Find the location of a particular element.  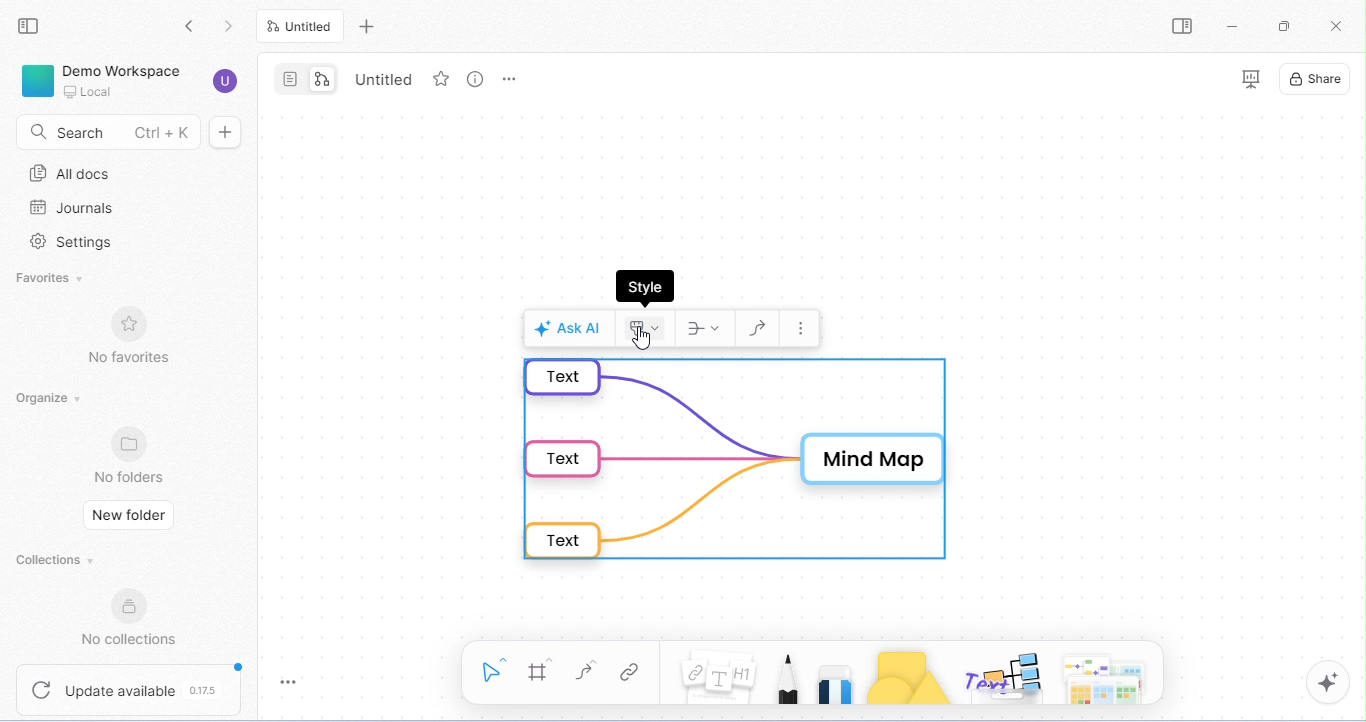

journal is located at coordinates (71, 209).